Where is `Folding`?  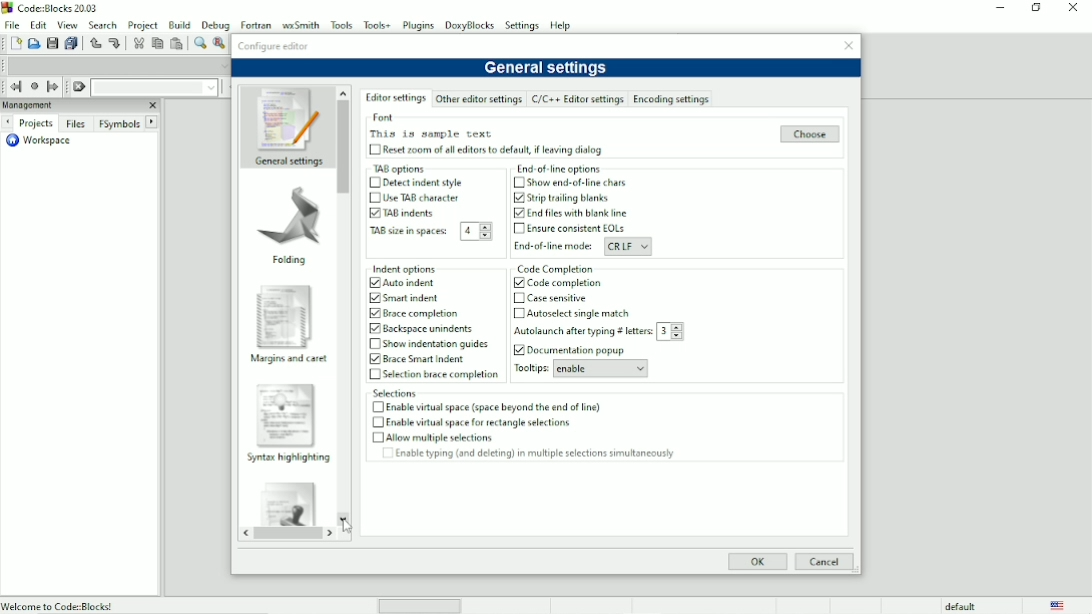 Folding is located at coordinates (290, 260).